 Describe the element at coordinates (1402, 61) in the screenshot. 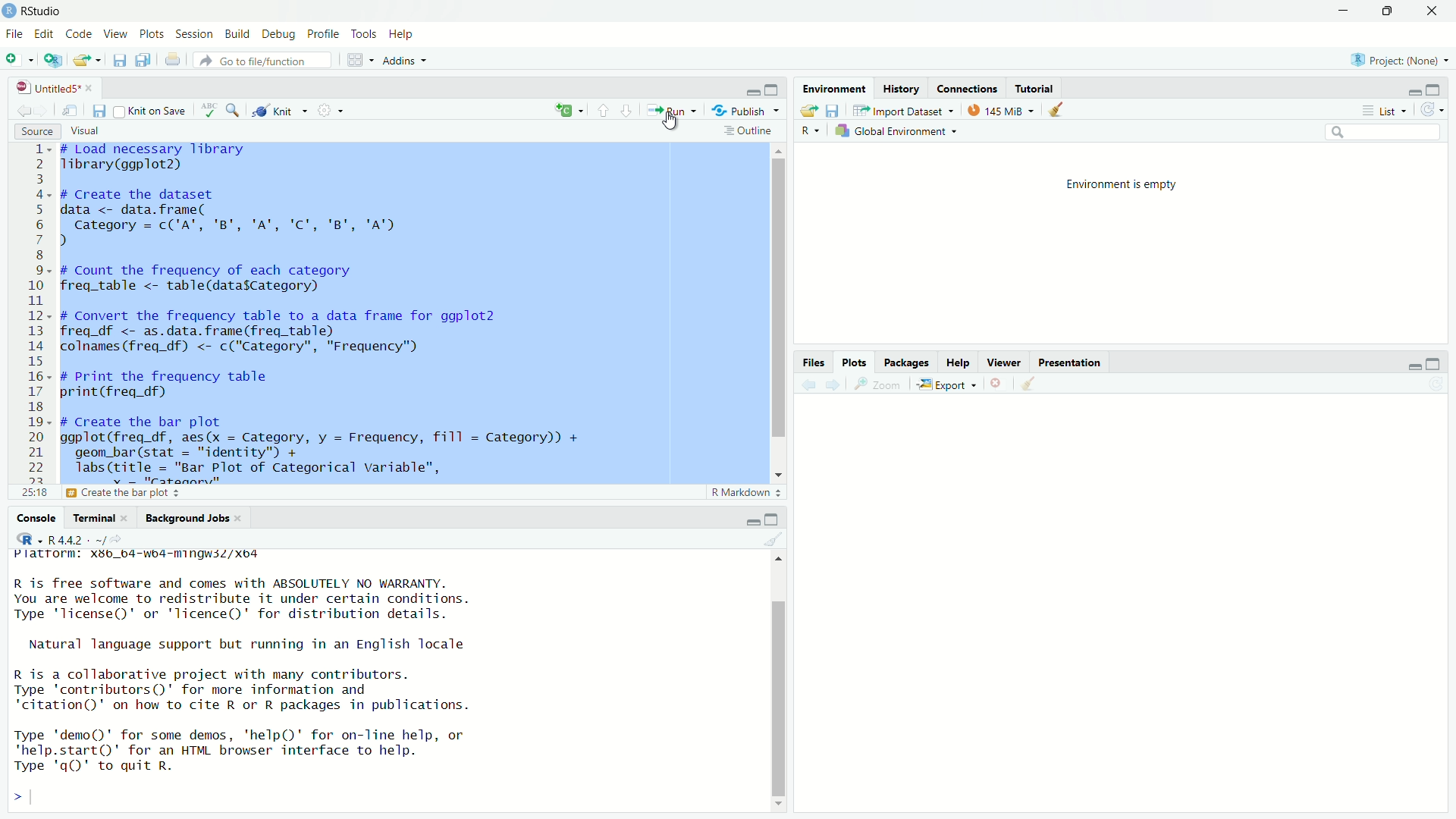

I see `project (none)` at that location.